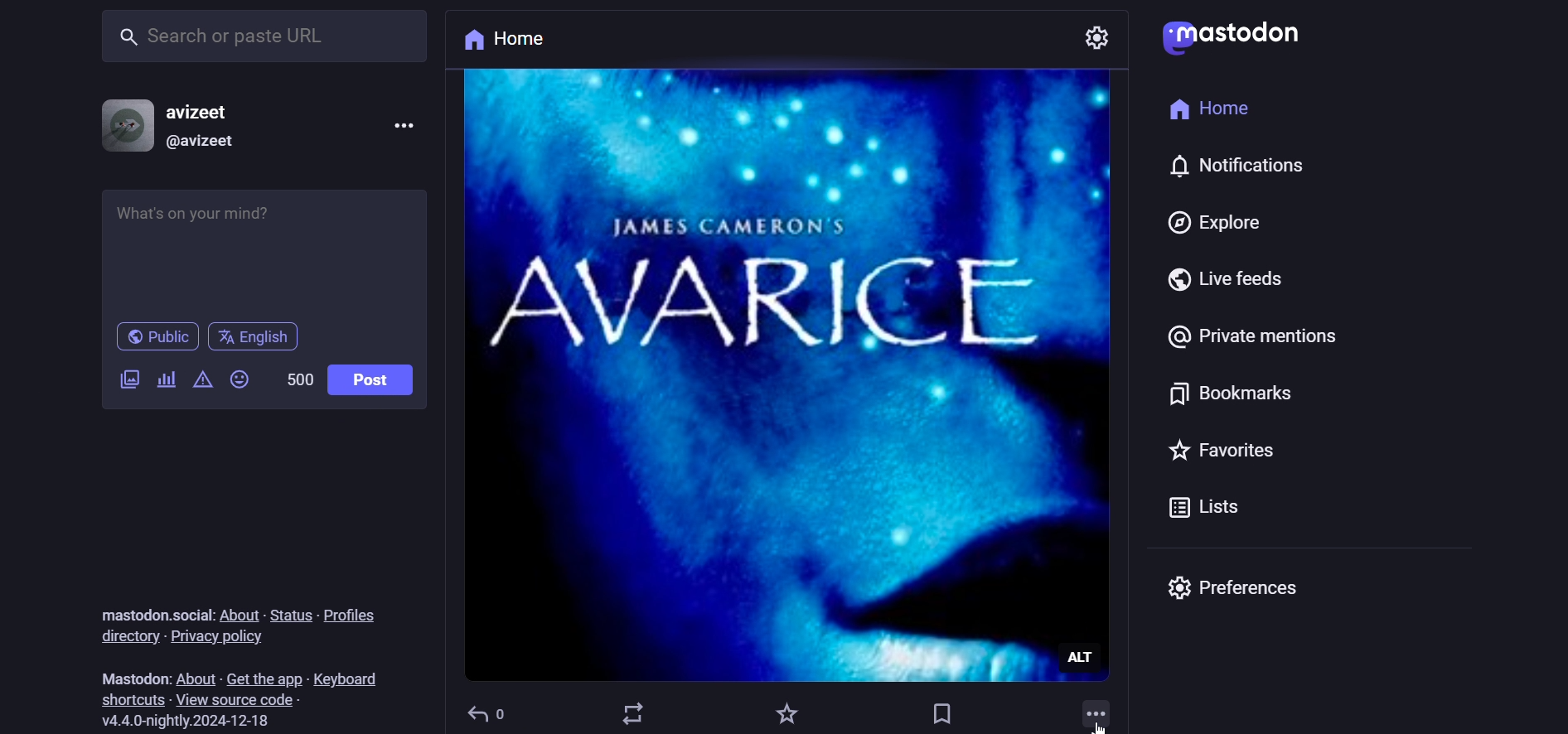 The image size is (1568, 734). Describe the element at coordinates (208, 142) in the screenshot. I see `id` at that location.